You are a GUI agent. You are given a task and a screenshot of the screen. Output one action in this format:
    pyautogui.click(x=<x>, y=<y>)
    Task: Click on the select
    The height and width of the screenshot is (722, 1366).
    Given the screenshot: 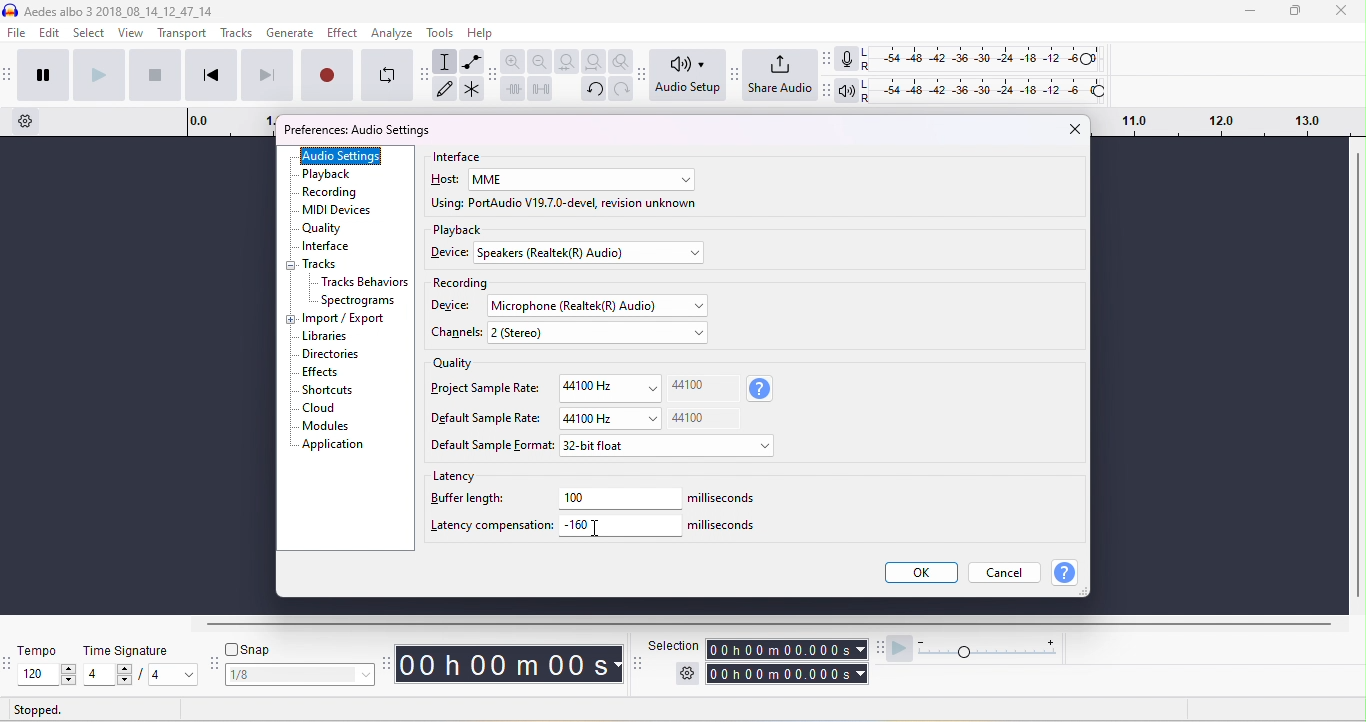 What is the action you would take?
    pyautogui.click(x=90, y=33)
    